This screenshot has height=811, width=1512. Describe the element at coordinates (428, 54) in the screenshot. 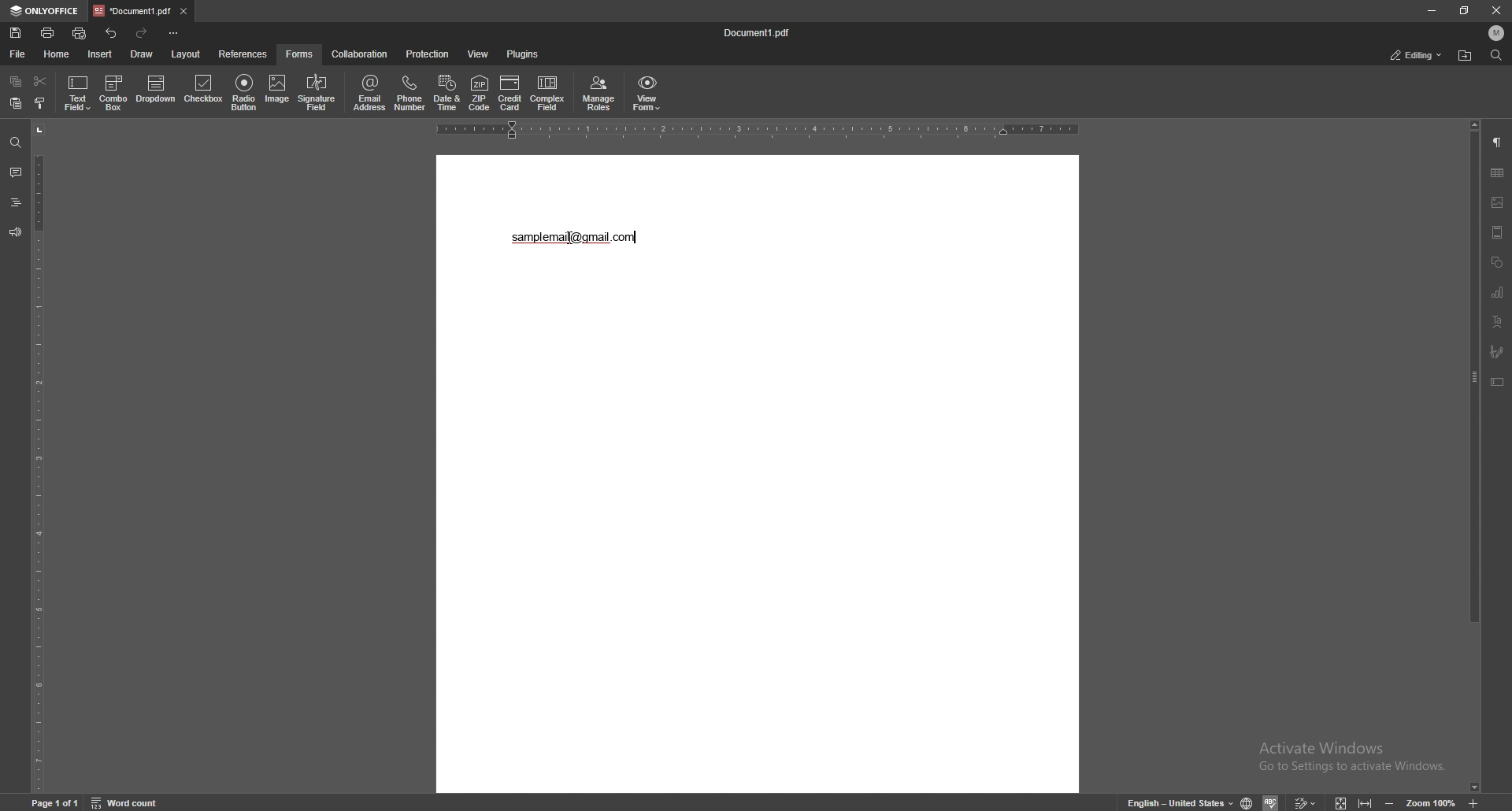

I see `protection` at that location.